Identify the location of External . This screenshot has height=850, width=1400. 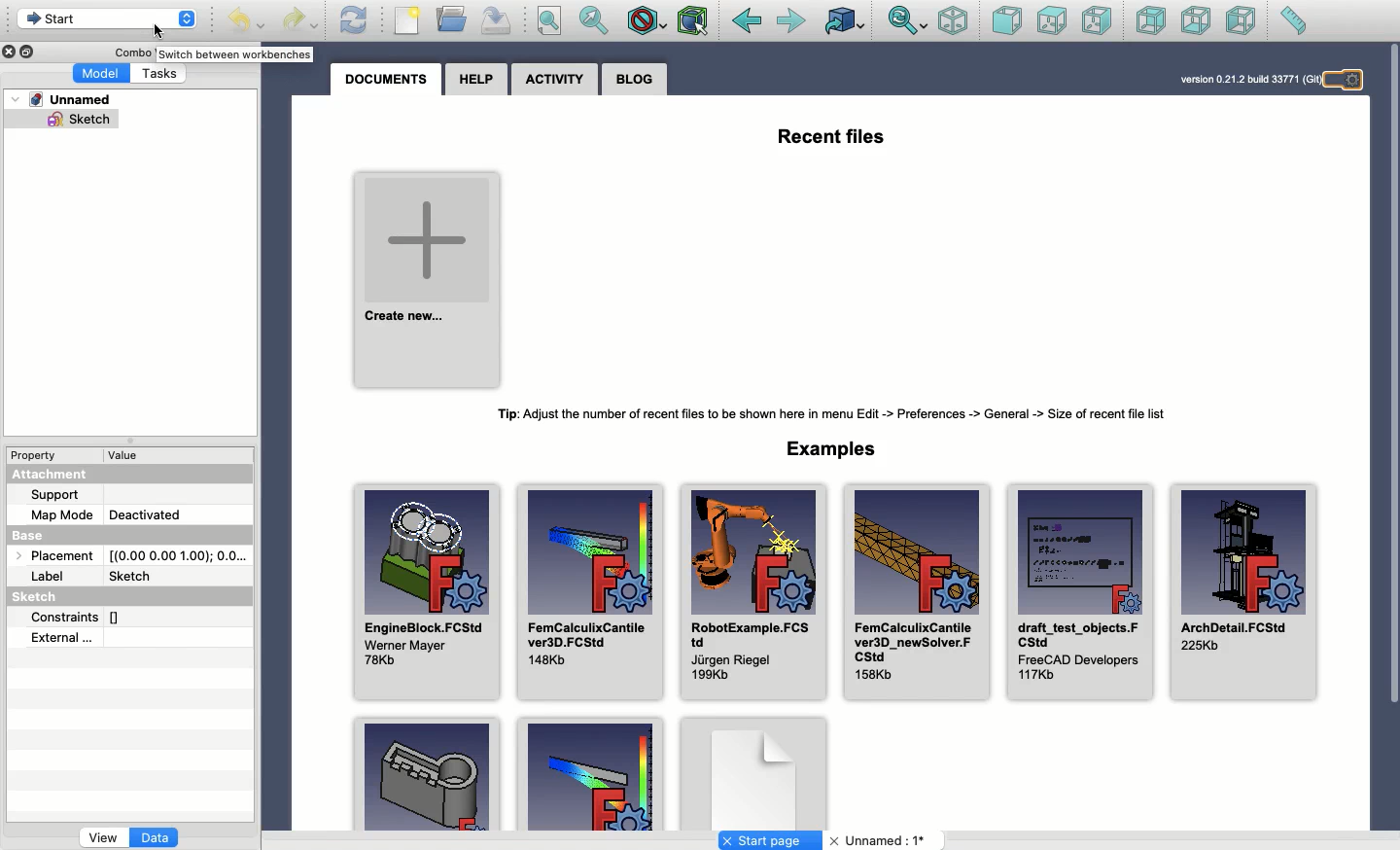
(62, 639).